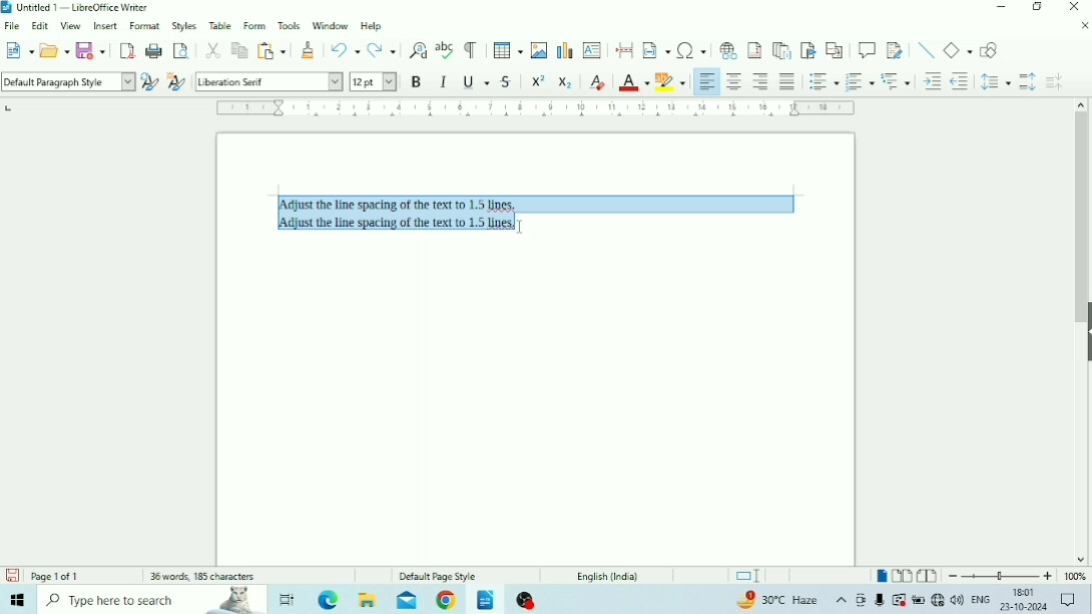 This screenshot has width=1092, height=614. I want to click on Horizontal scale, so click(535, 108).